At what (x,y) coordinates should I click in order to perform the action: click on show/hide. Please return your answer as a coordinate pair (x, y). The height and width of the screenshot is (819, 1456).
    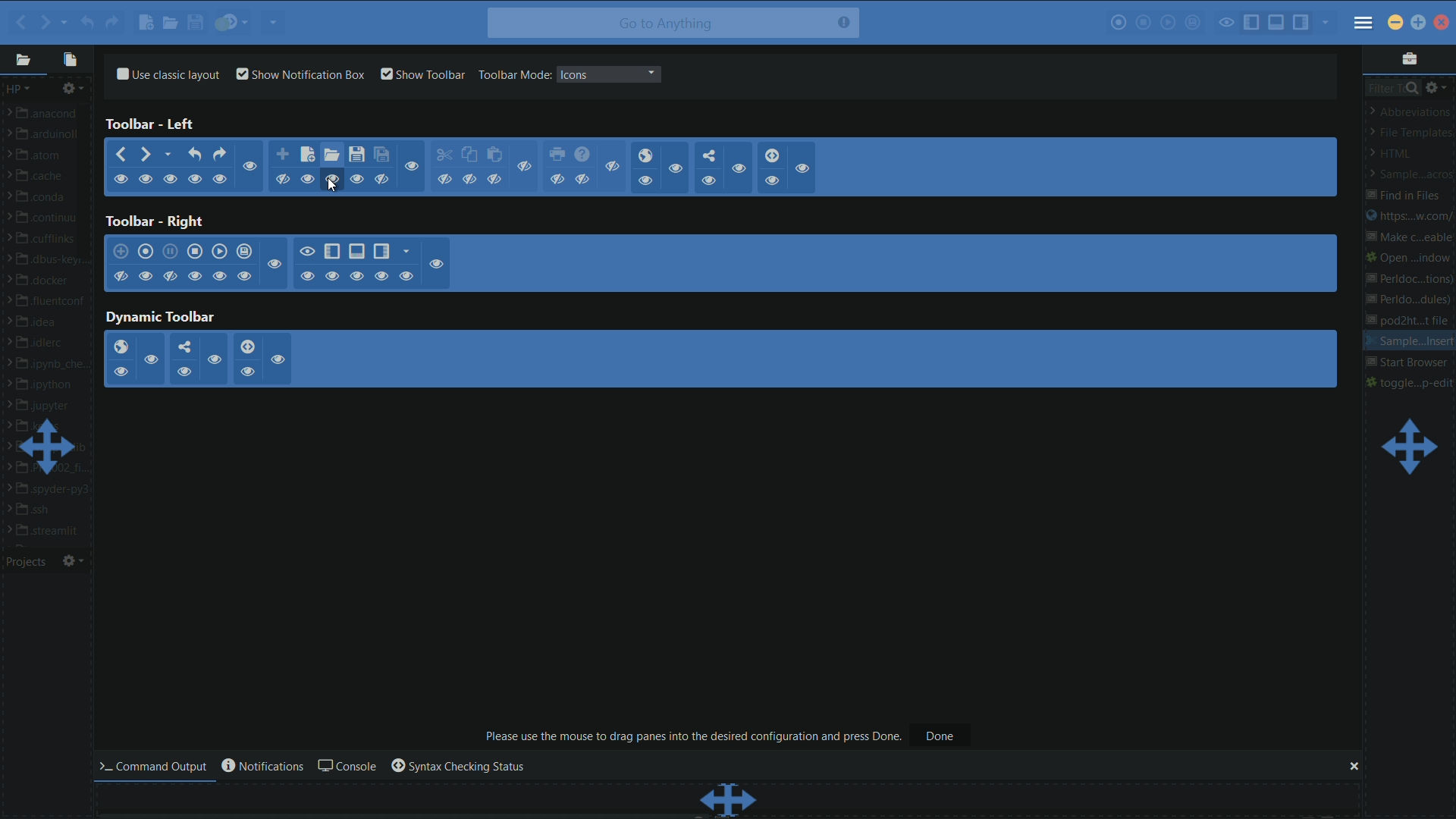
    Looking at the image, I should click on (583, 179).